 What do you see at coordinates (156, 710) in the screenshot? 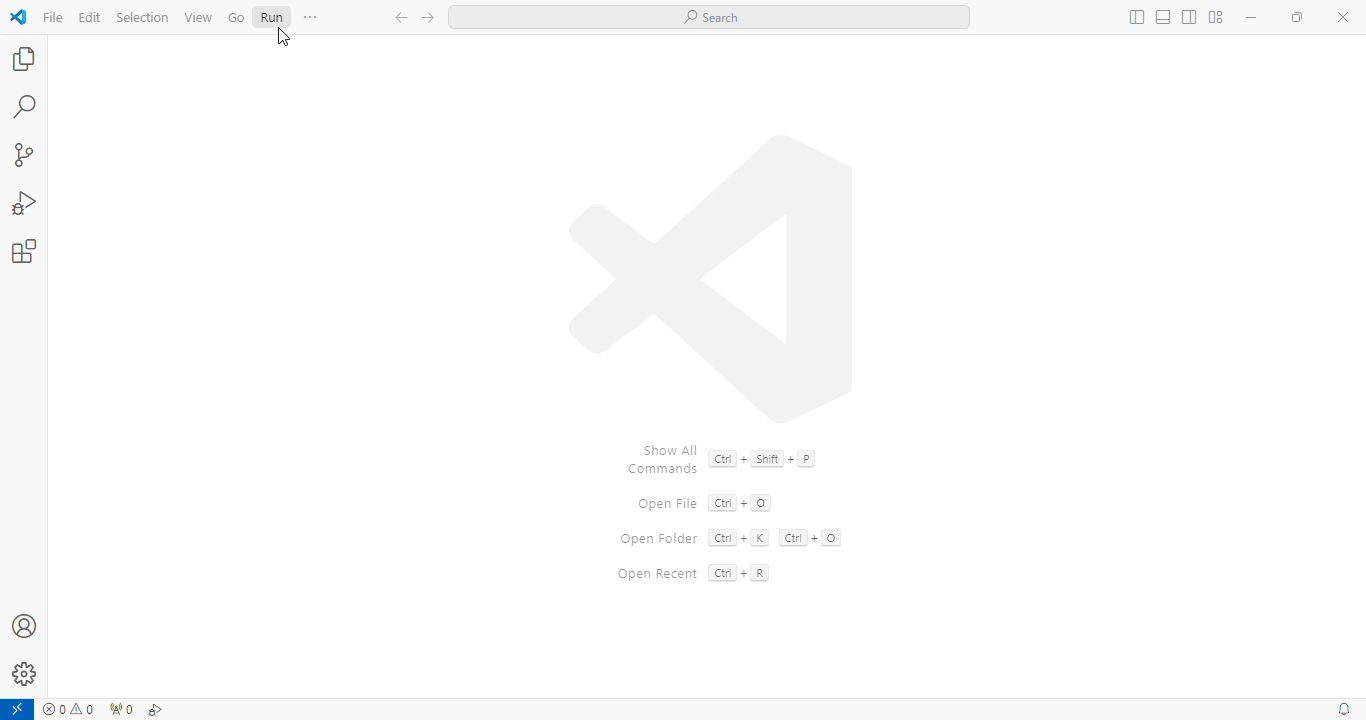
I see `select and start debug configuration` at bounding box center [156, 710].